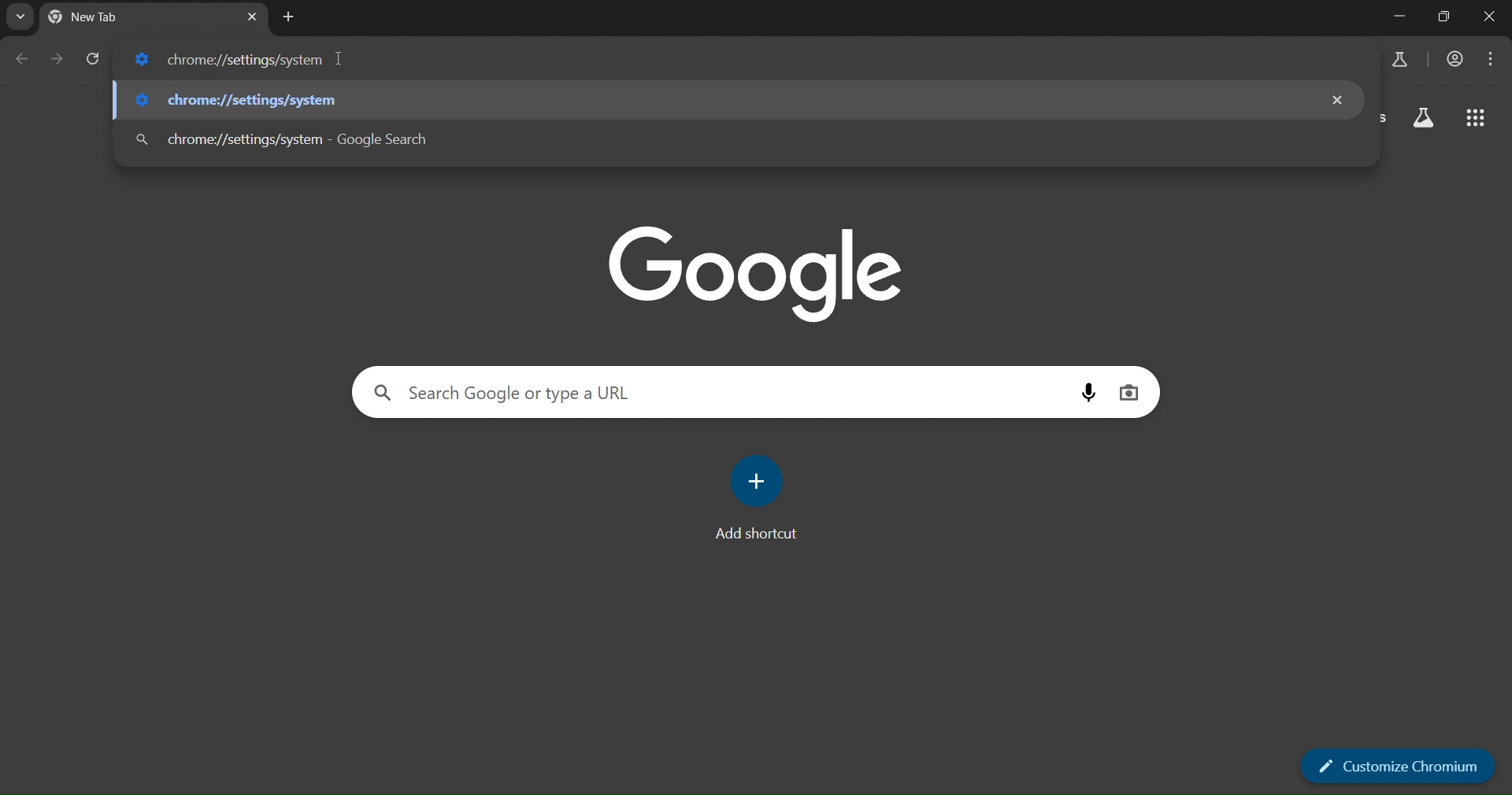  What do you see at coordinates (254, 17) in the screenshot?
I see `new tab` at bounding box center [254, 17].